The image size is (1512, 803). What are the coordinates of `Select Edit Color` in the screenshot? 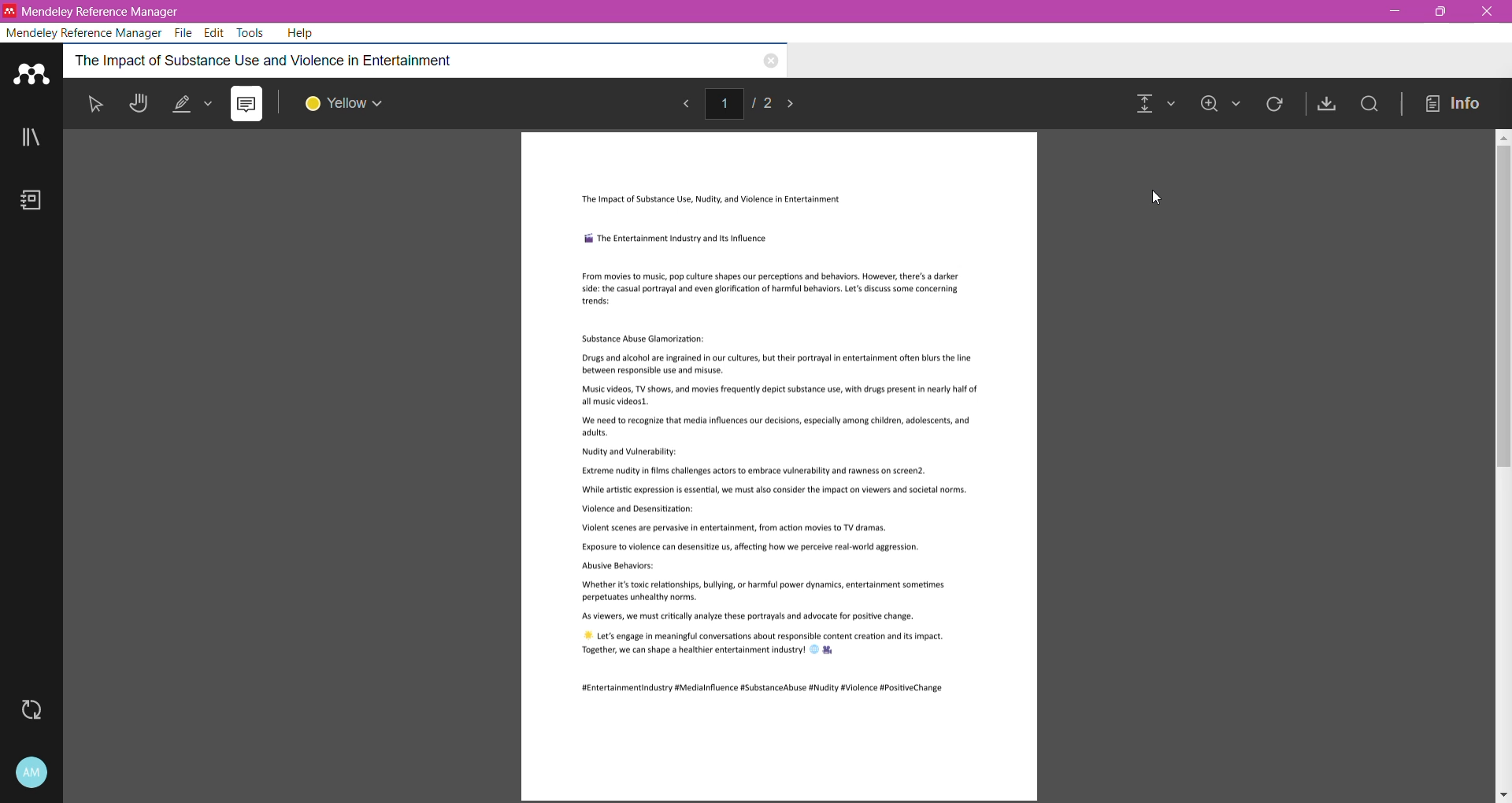 It's located at (352, 104).